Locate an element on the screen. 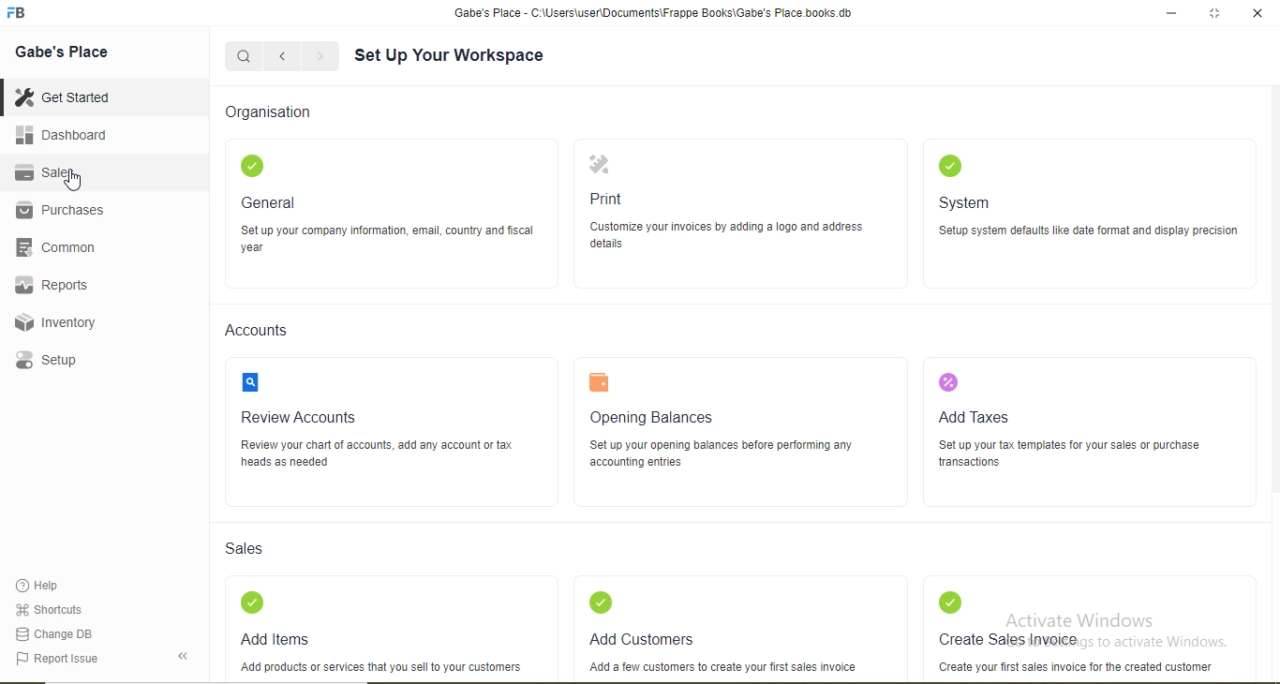 The image size is (1280, 684). ‘Opening Balances is located at coordinates (656, 415).